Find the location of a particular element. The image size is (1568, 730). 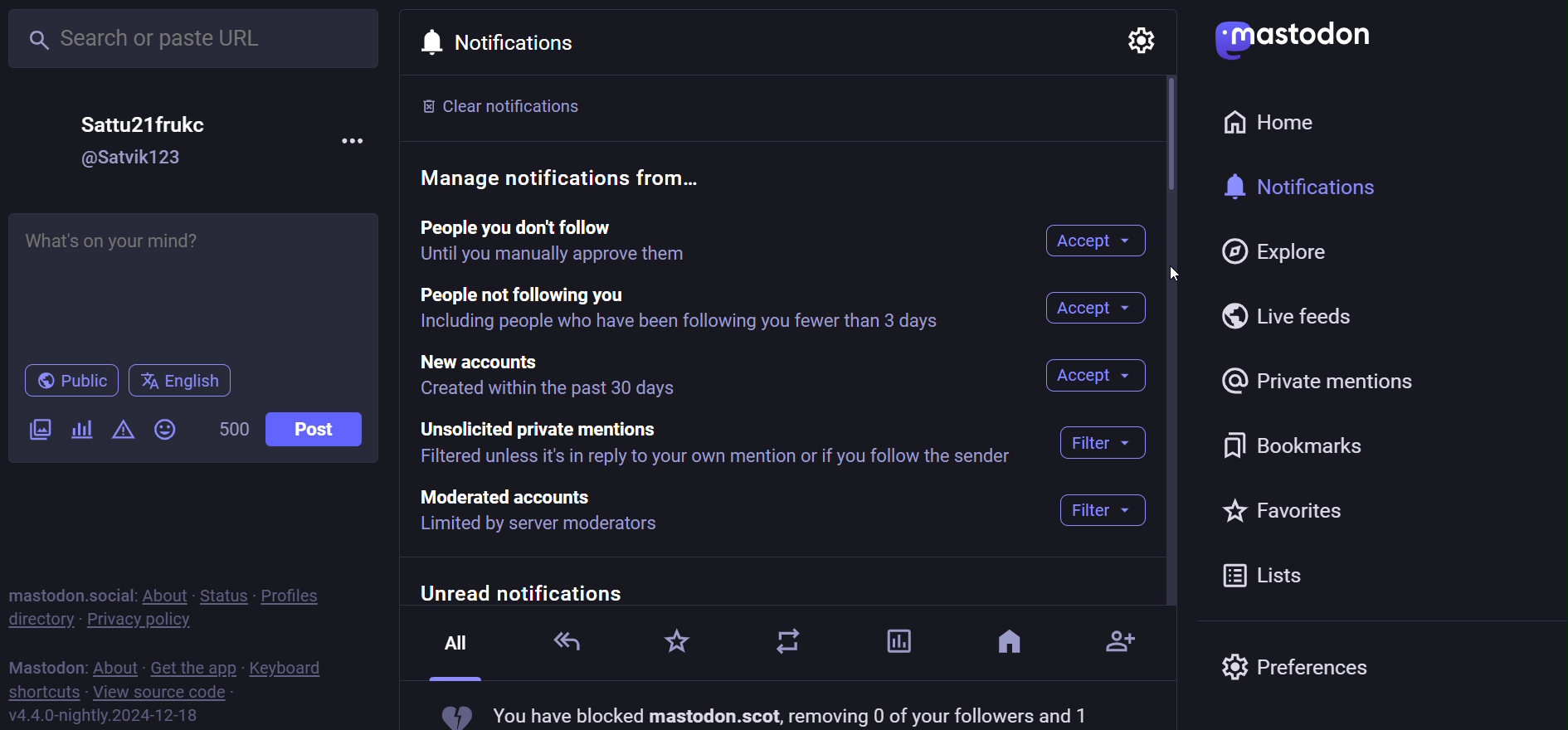

favorite is located at coordinates (675, 643).